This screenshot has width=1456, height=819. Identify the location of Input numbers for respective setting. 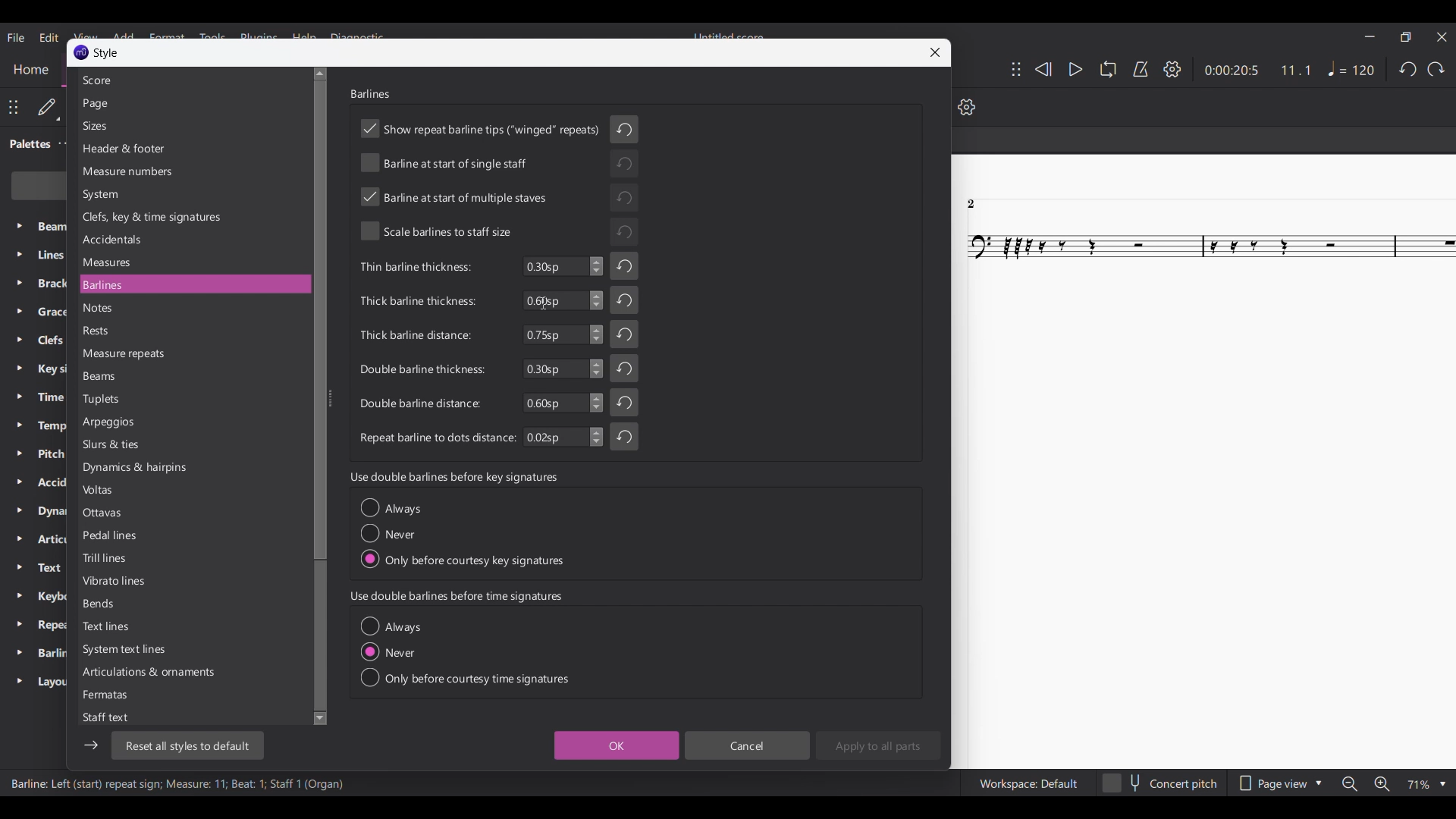
(563, 352).